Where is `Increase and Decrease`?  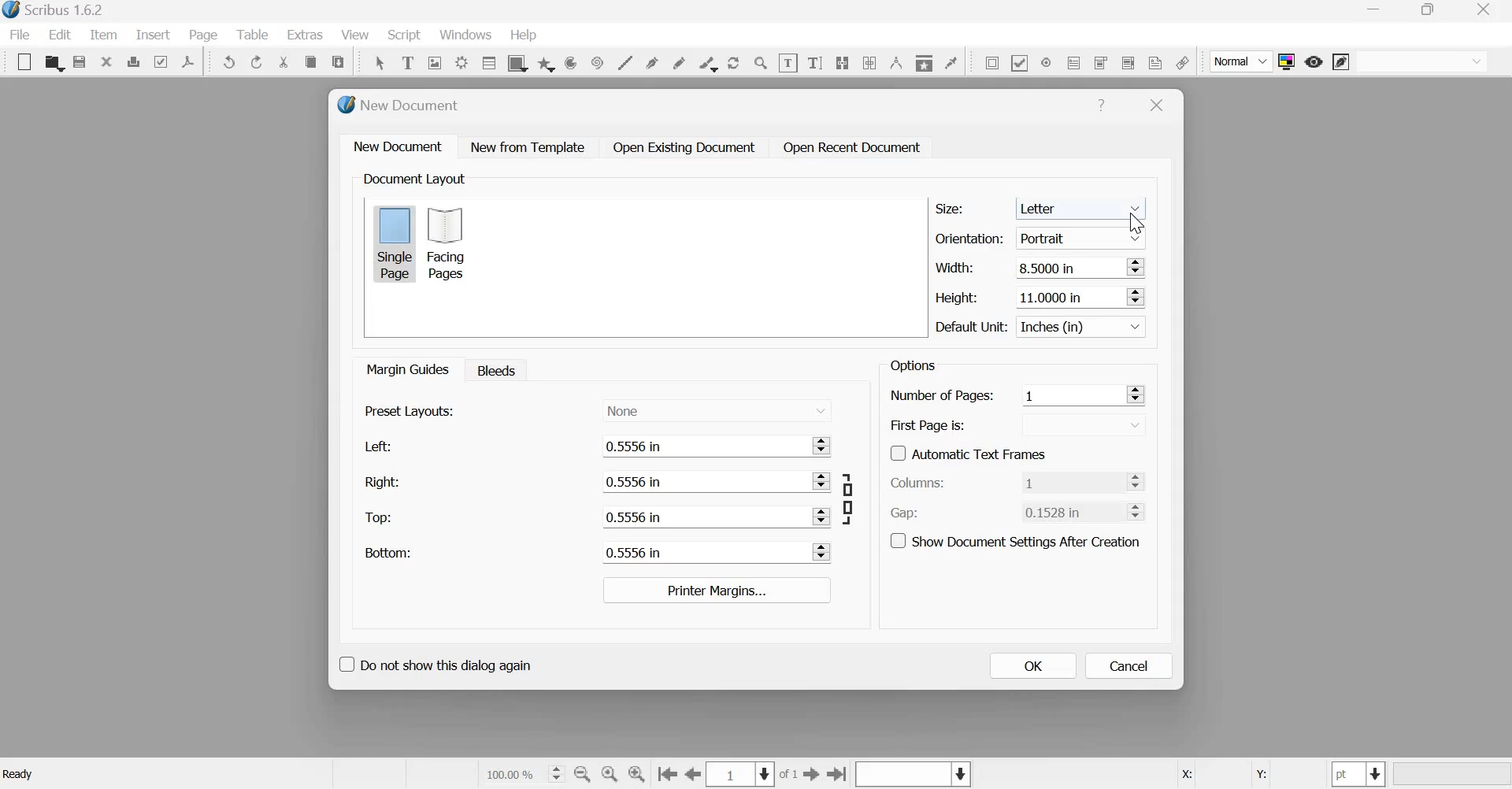
Increase and Decrease is located at coordinates (1136, 394).